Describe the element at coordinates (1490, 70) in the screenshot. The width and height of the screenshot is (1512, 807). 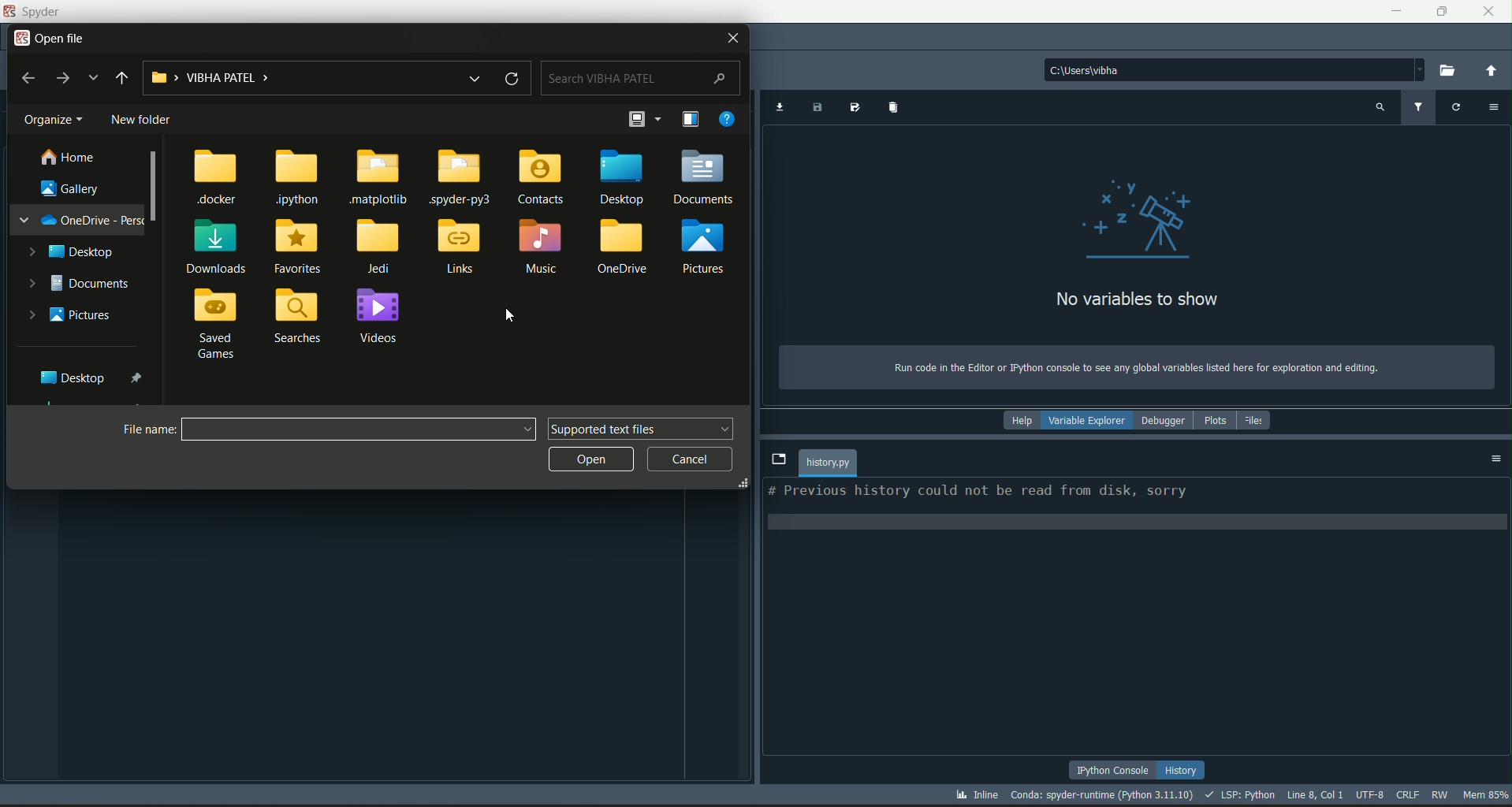
I see `change to parent directory` at that location.